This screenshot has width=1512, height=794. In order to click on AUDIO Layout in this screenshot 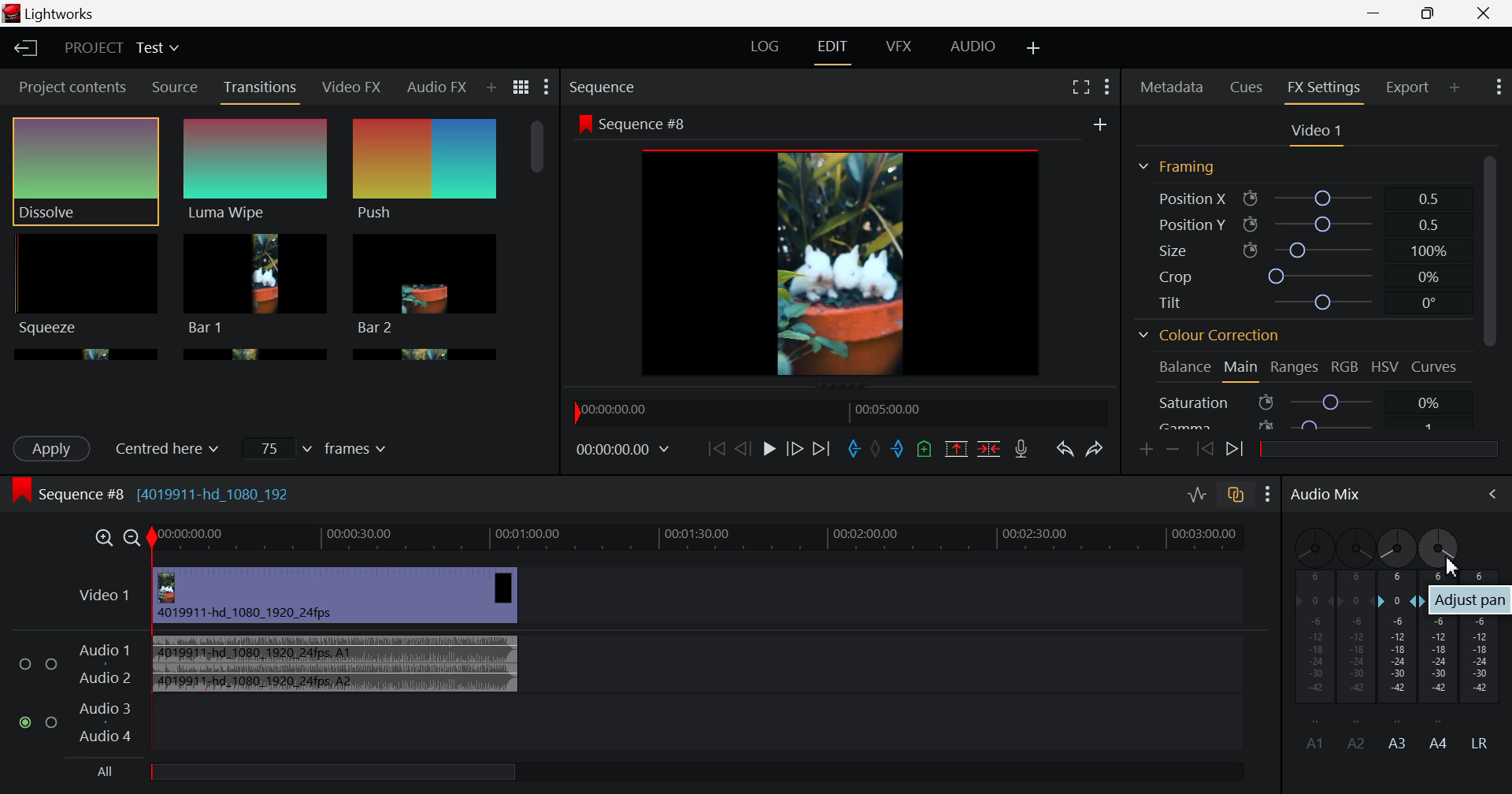, I will do `click(976, 49)`.